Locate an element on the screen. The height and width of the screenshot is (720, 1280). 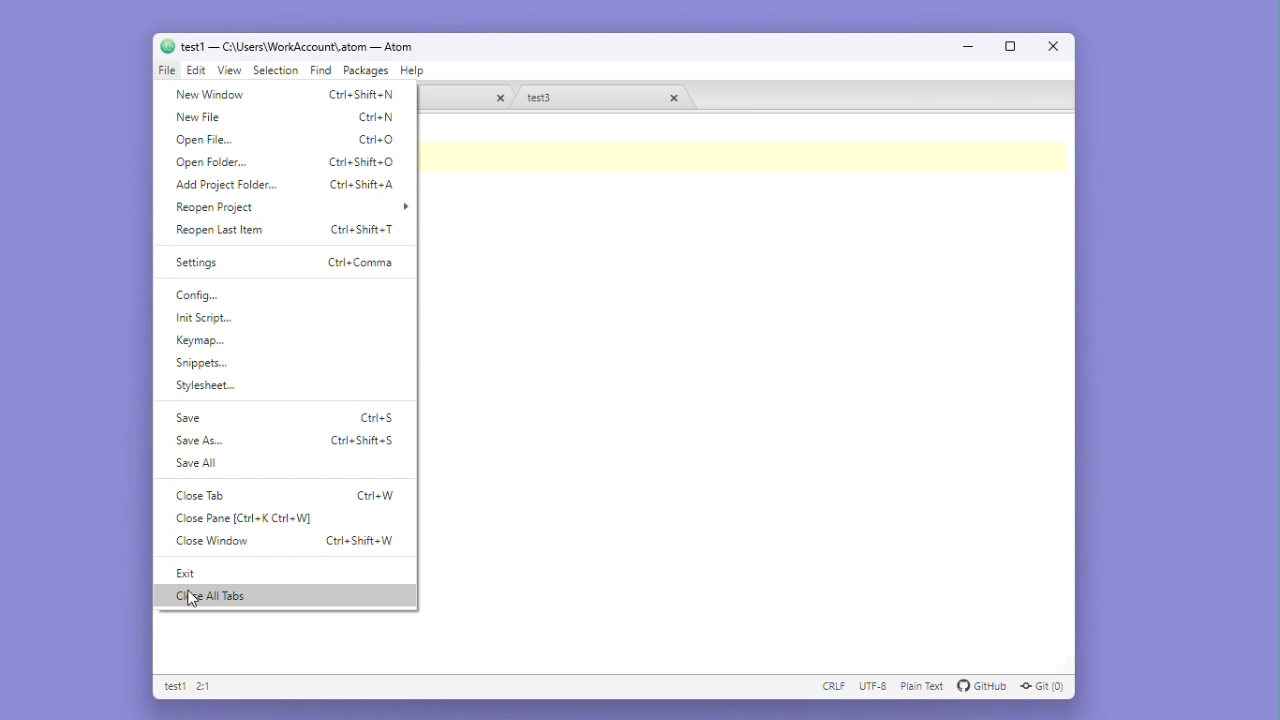
ctrl+shift+o is located at coordinates (362, 160).